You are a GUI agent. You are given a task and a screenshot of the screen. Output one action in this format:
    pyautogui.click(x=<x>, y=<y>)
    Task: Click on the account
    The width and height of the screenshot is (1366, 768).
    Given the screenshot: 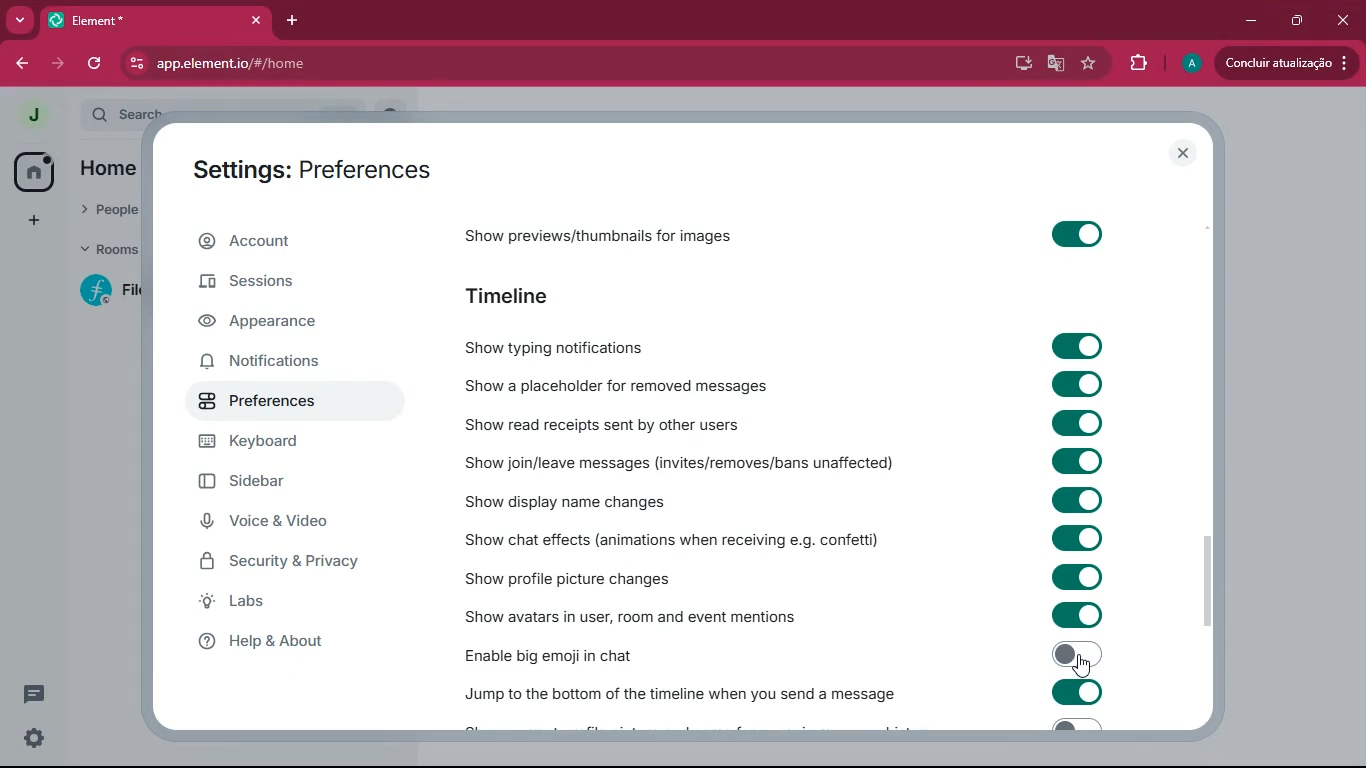 What is the action you would take?
    pyautogui.click(x=290, y=244)
    